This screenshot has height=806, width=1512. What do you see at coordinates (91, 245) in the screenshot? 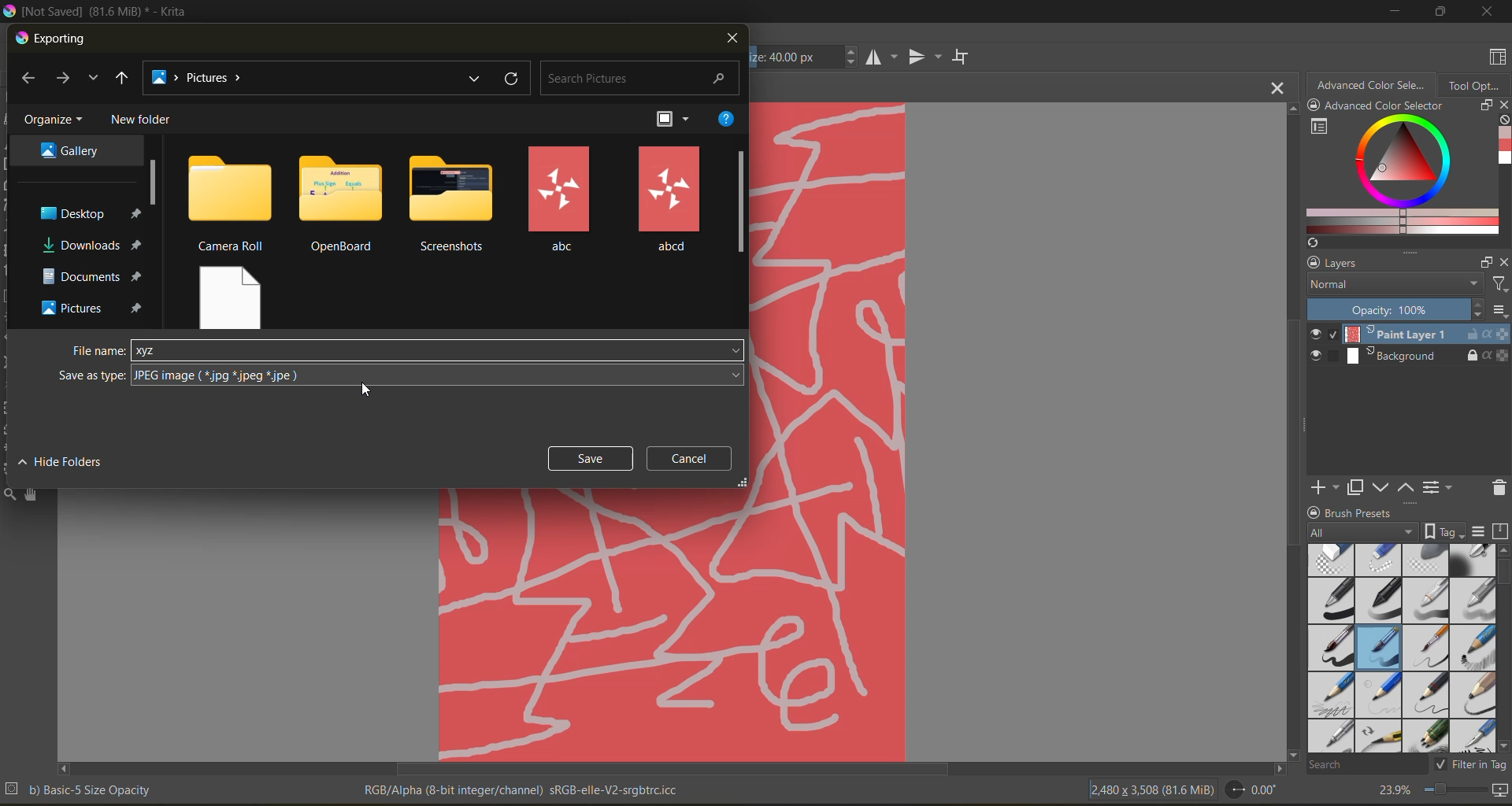
I see `folder destination` at bounding box center [91, 245].